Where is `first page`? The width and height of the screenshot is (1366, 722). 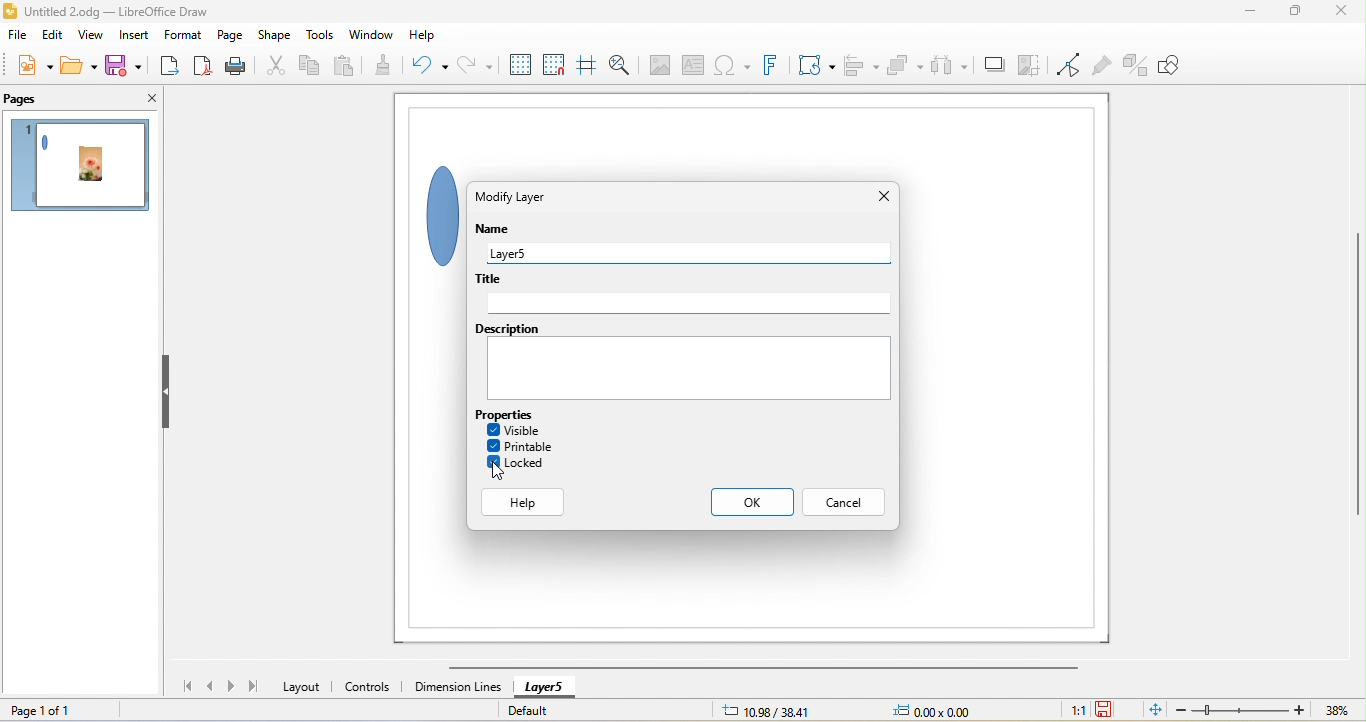
first page is located at coordinates (181, 685).